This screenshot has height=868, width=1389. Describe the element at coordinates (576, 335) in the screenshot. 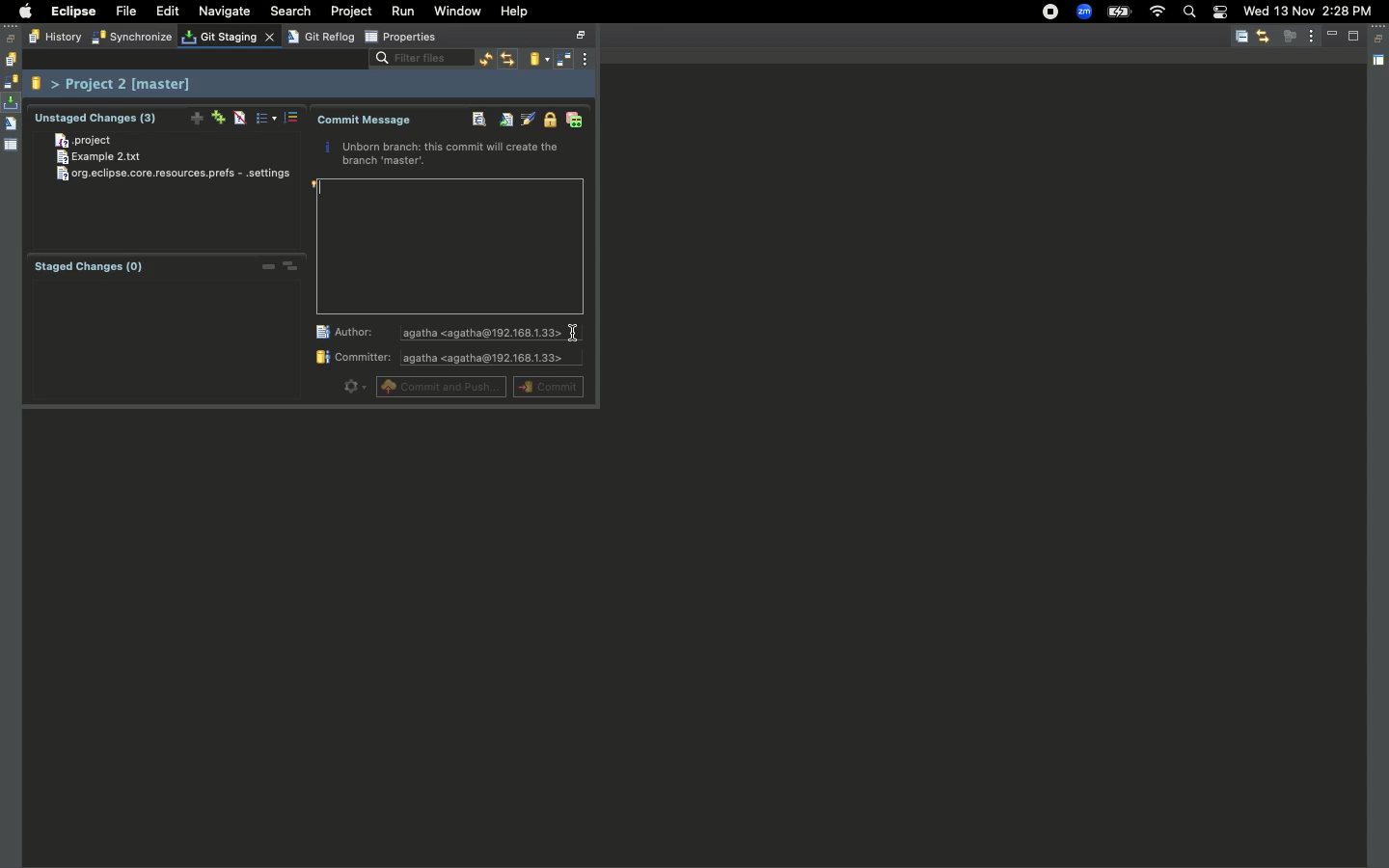

I see `Ibeam cursor` at that location.